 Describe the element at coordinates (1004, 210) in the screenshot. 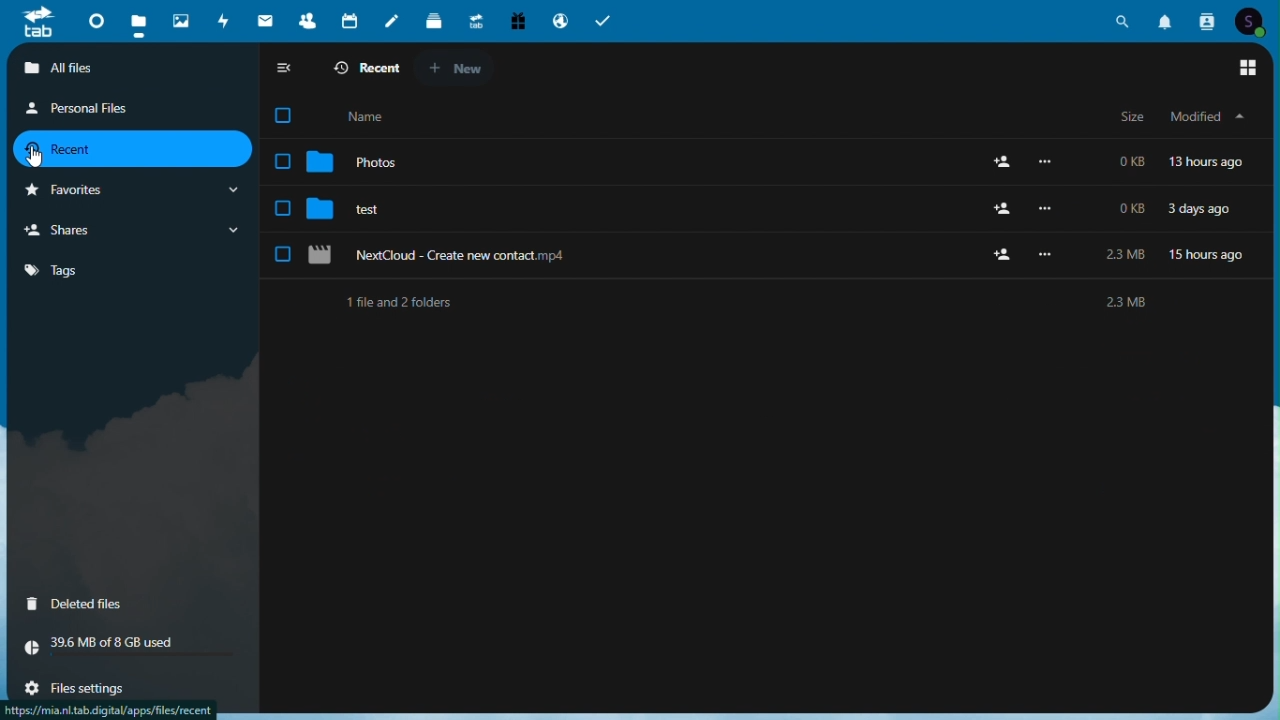

I see `add user` at that location.